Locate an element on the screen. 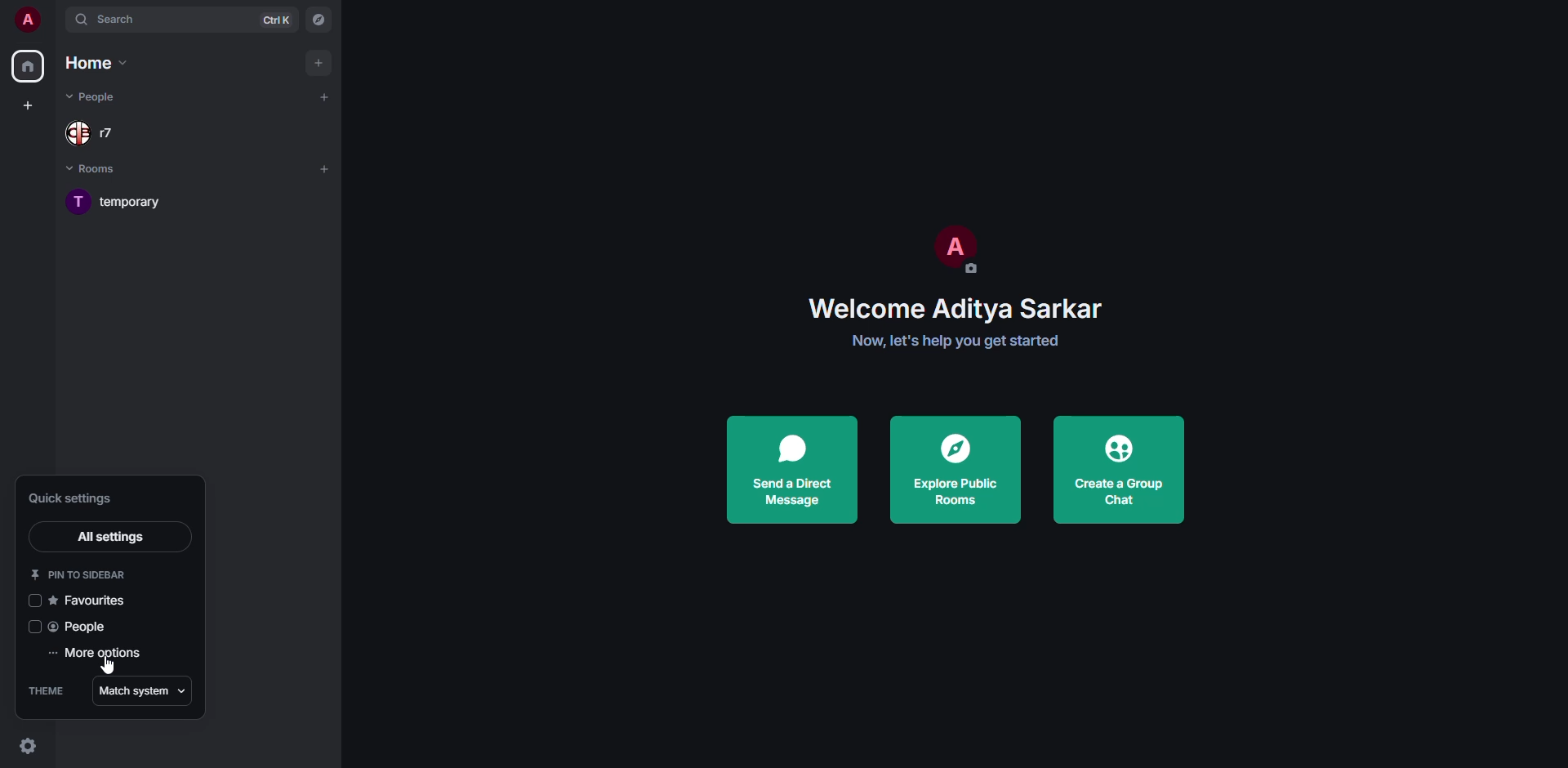  cursor is located at coordinates (110, 669).